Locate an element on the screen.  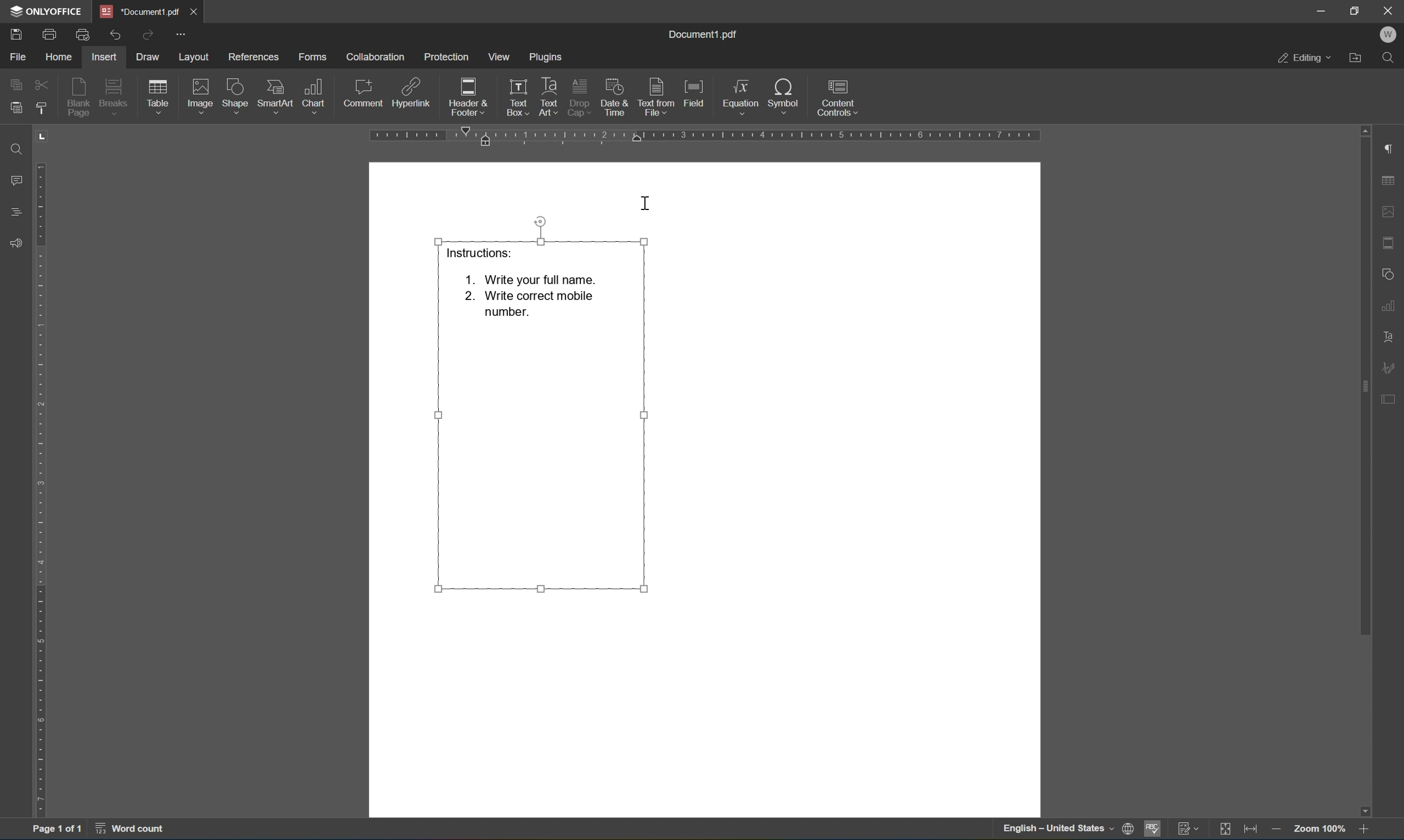
Quick print is located at coordinates (84, 33).